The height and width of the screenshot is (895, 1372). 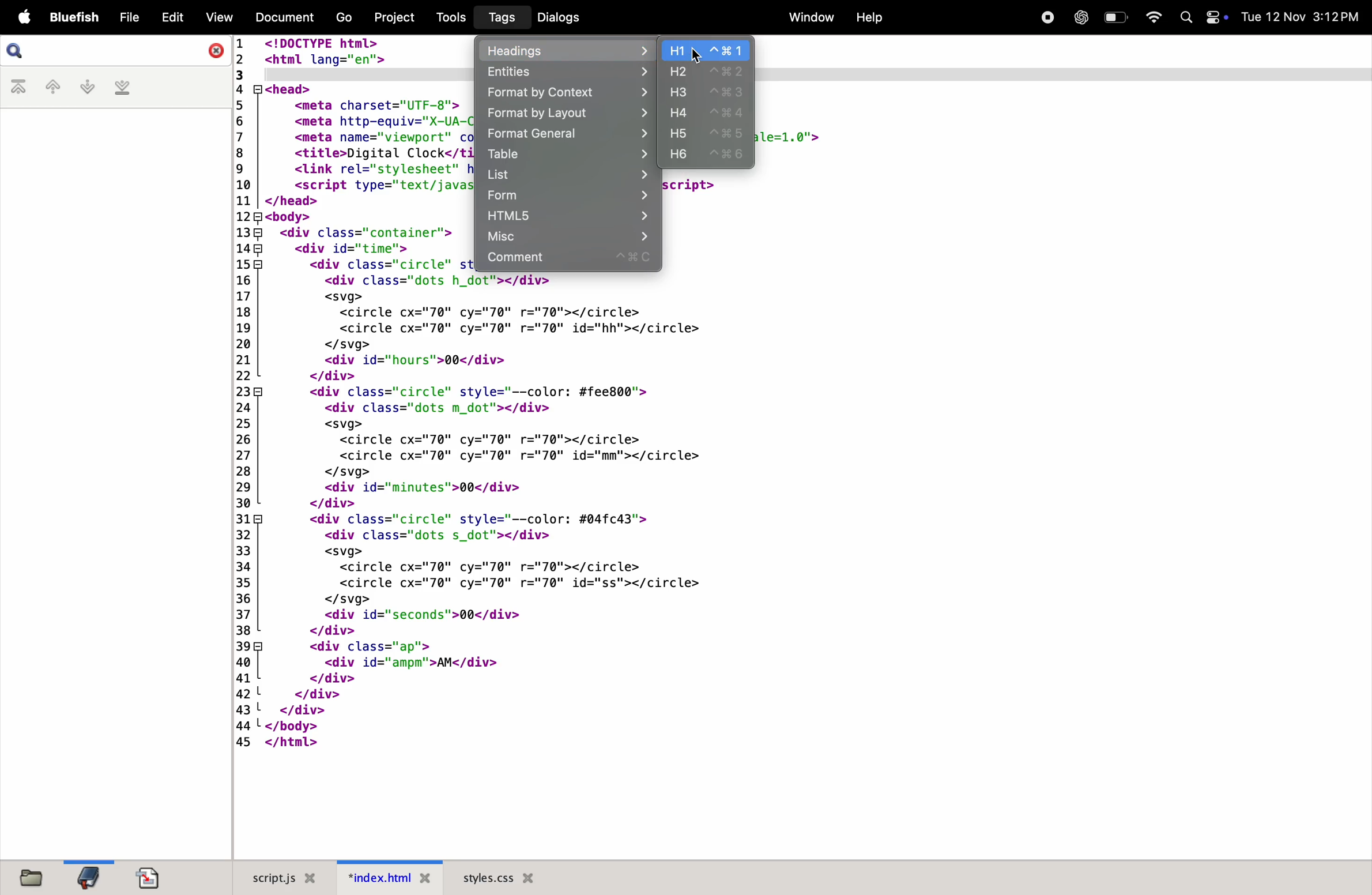 I want to click on last bookmark, so click(x=122, y=88).